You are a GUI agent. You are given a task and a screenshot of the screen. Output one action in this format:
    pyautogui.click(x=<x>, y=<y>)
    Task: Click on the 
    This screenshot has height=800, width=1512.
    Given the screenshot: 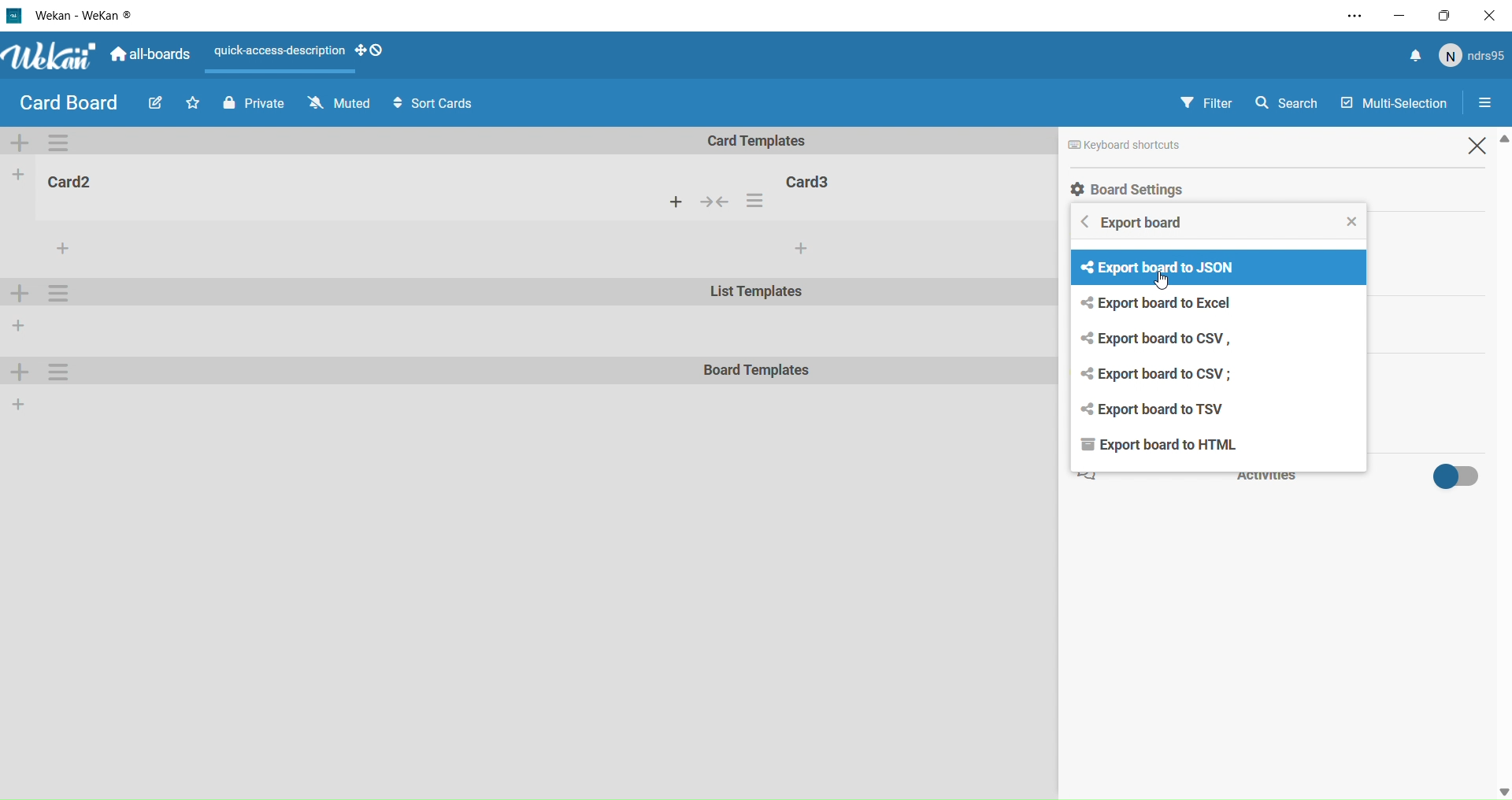 What is the action you would take?
    pyautogui.click(x=57, y=294)
    